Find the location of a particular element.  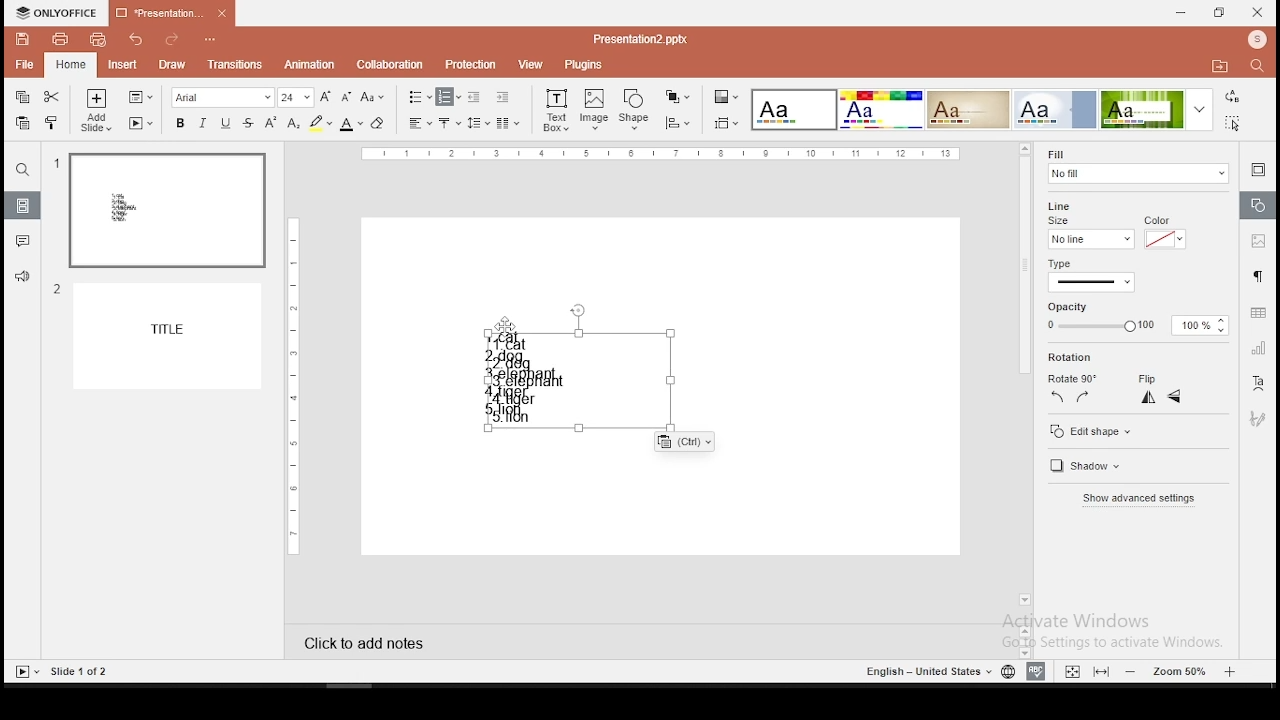

image is located at coordinates (595, 110).